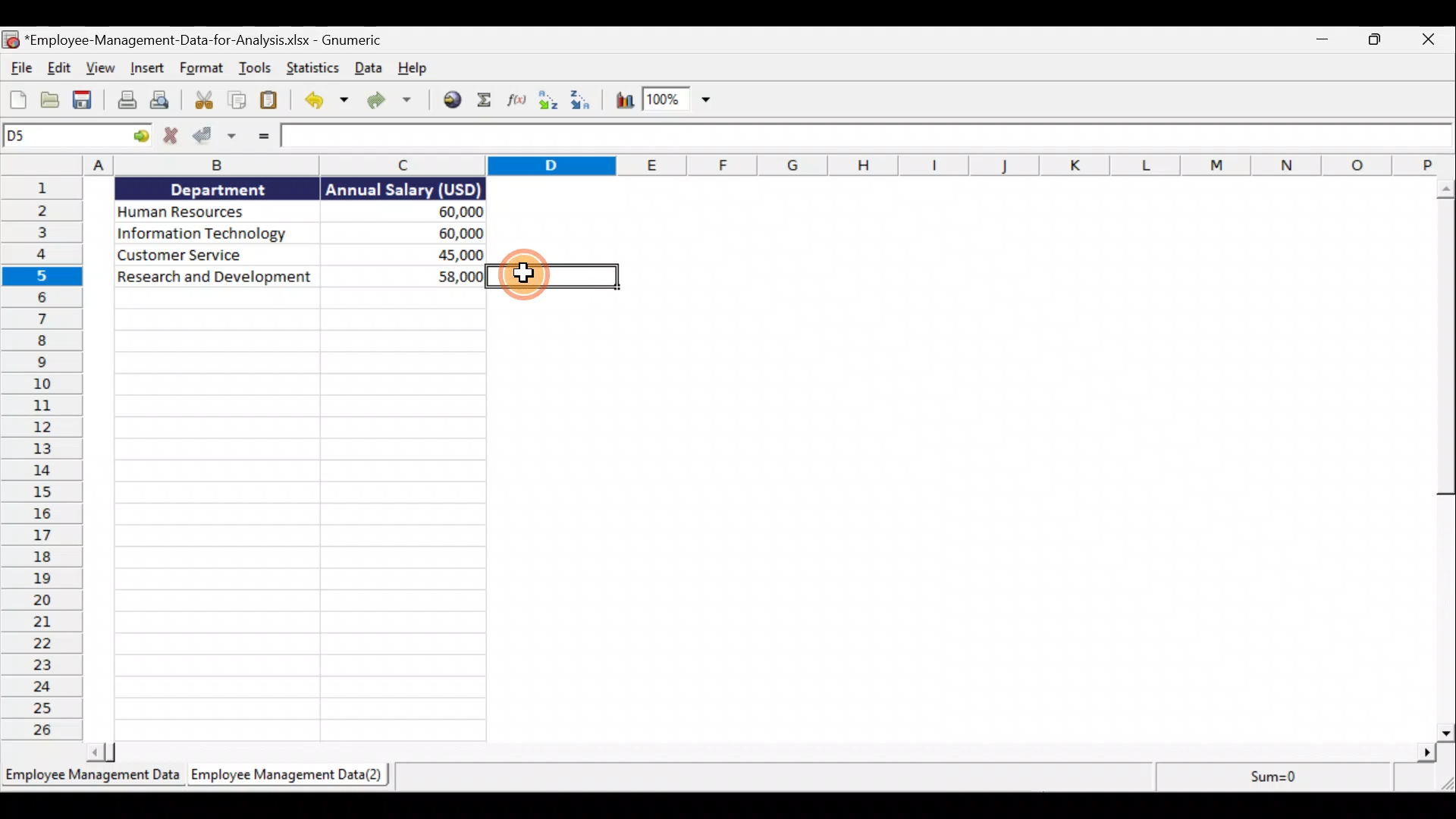 Image resolution: width=1456 pixels, height=819 pixels. Describe the element at coordinates (1439, 458) in the screenshot. I see `Scroll bar` at that location.